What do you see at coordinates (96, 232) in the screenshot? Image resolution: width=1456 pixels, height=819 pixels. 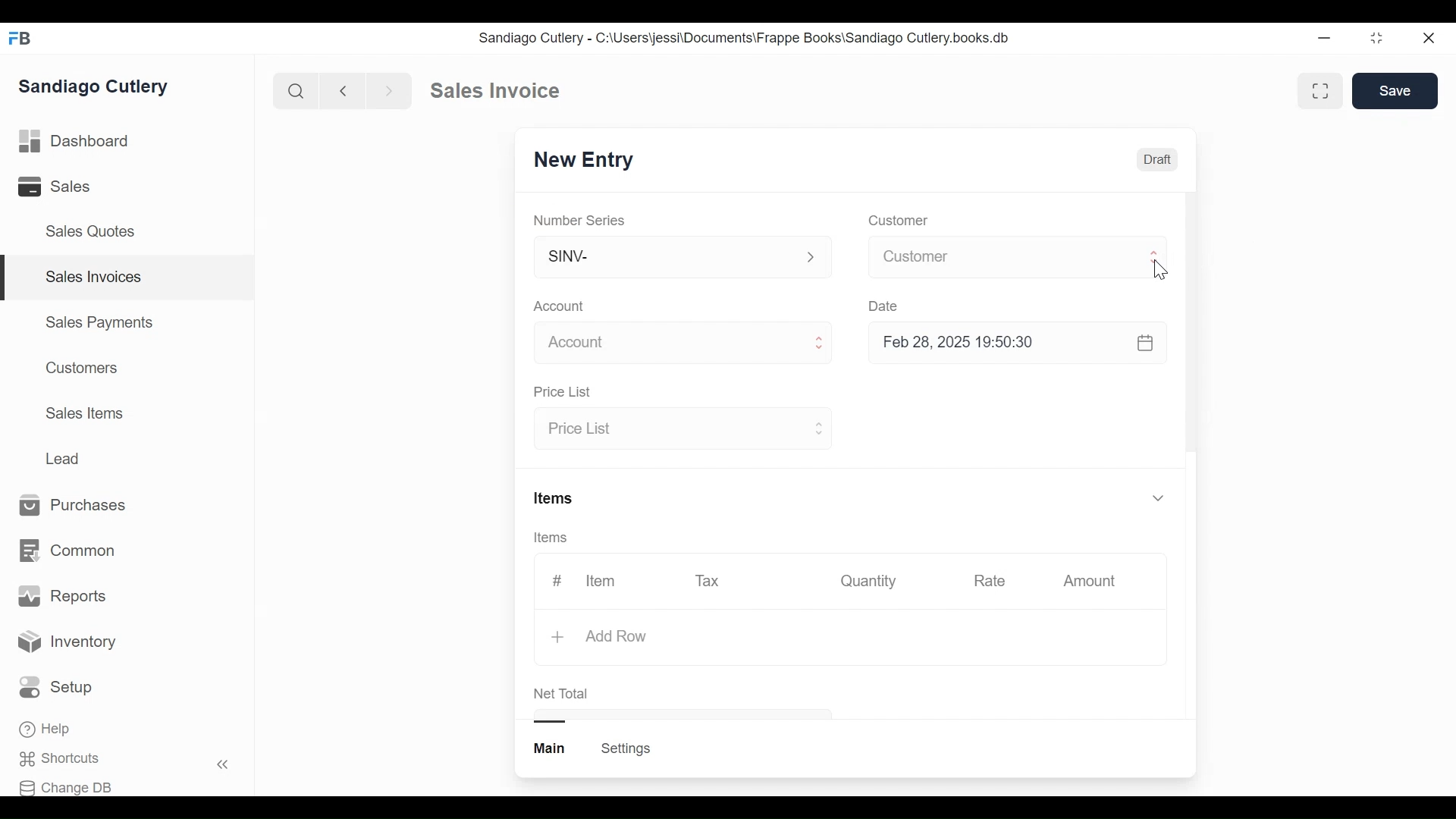 I see `Sales Quotes` at bounding box center [96, 232].